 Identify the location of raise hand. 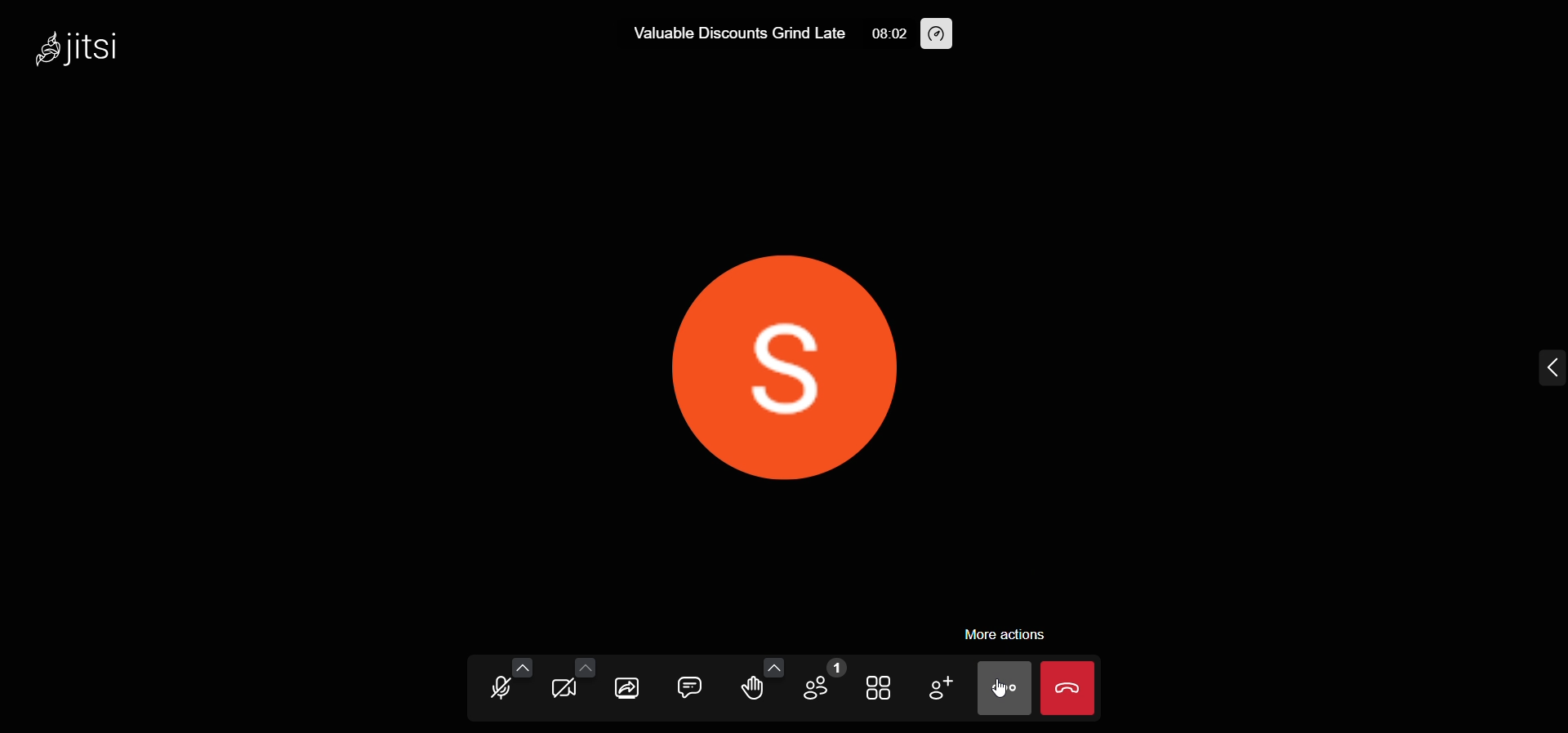
(754, 691).